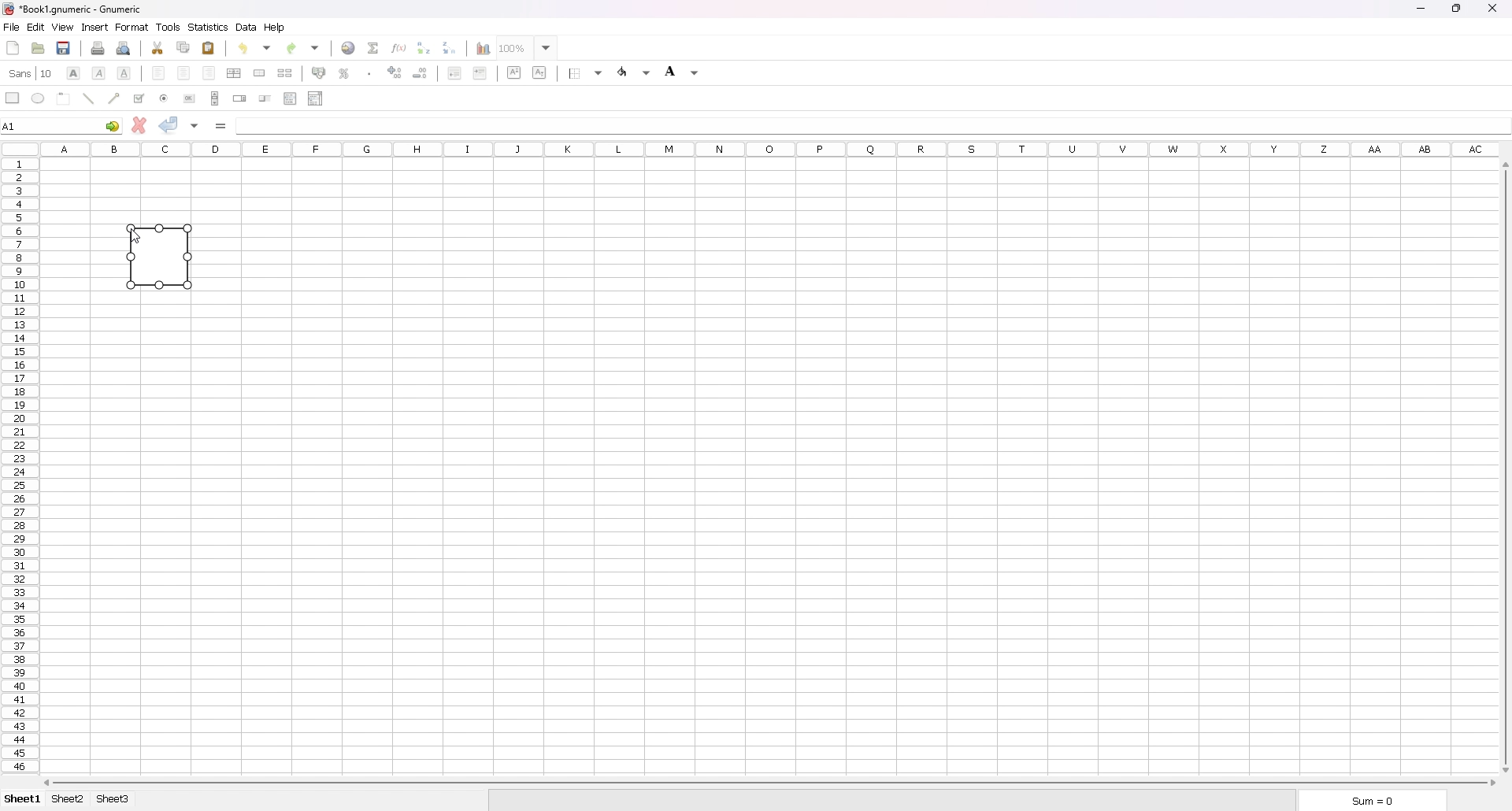 Image resolution: width=1512 pixels, height=811 pixels. What do you see at coordinates (29, 73) in the screenshot?
I see `font` at bounding box center [29, 73].